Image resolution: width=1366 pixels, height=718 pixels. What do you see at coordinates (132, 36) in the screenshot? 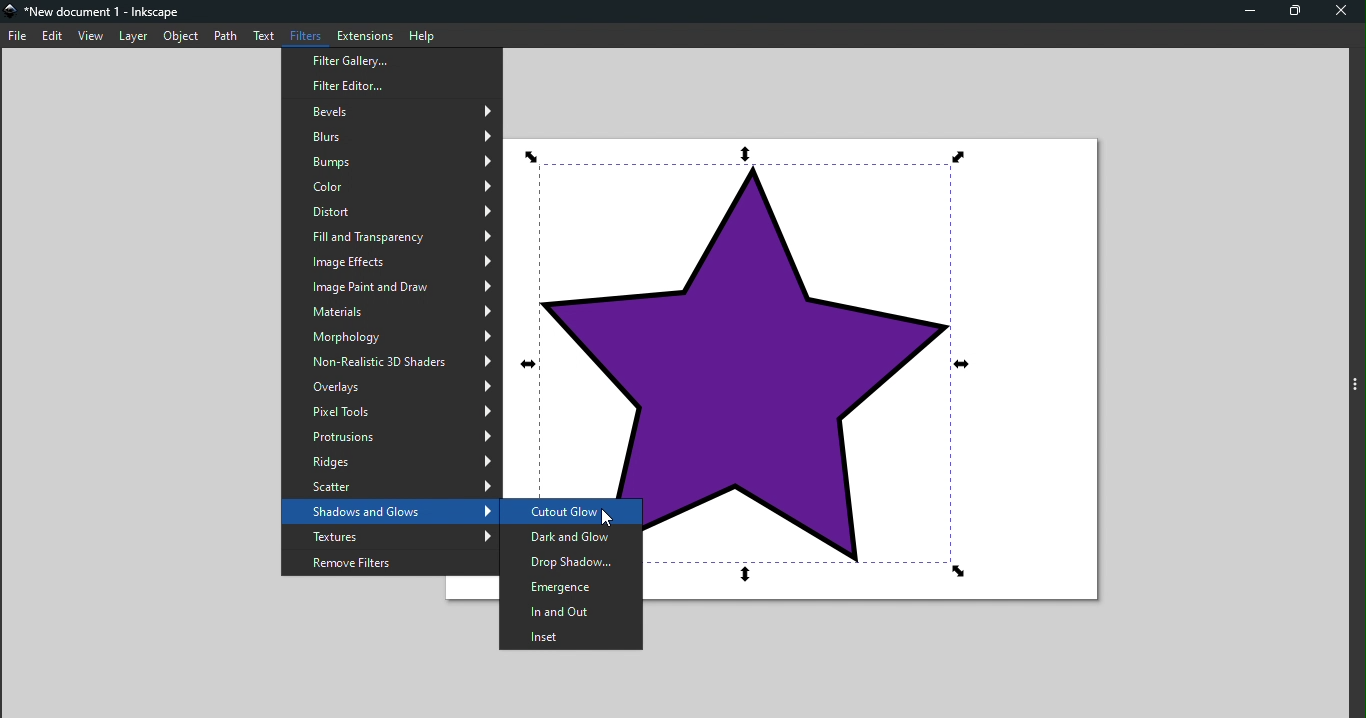
I see `Layer` at bounding box center [132, 36].